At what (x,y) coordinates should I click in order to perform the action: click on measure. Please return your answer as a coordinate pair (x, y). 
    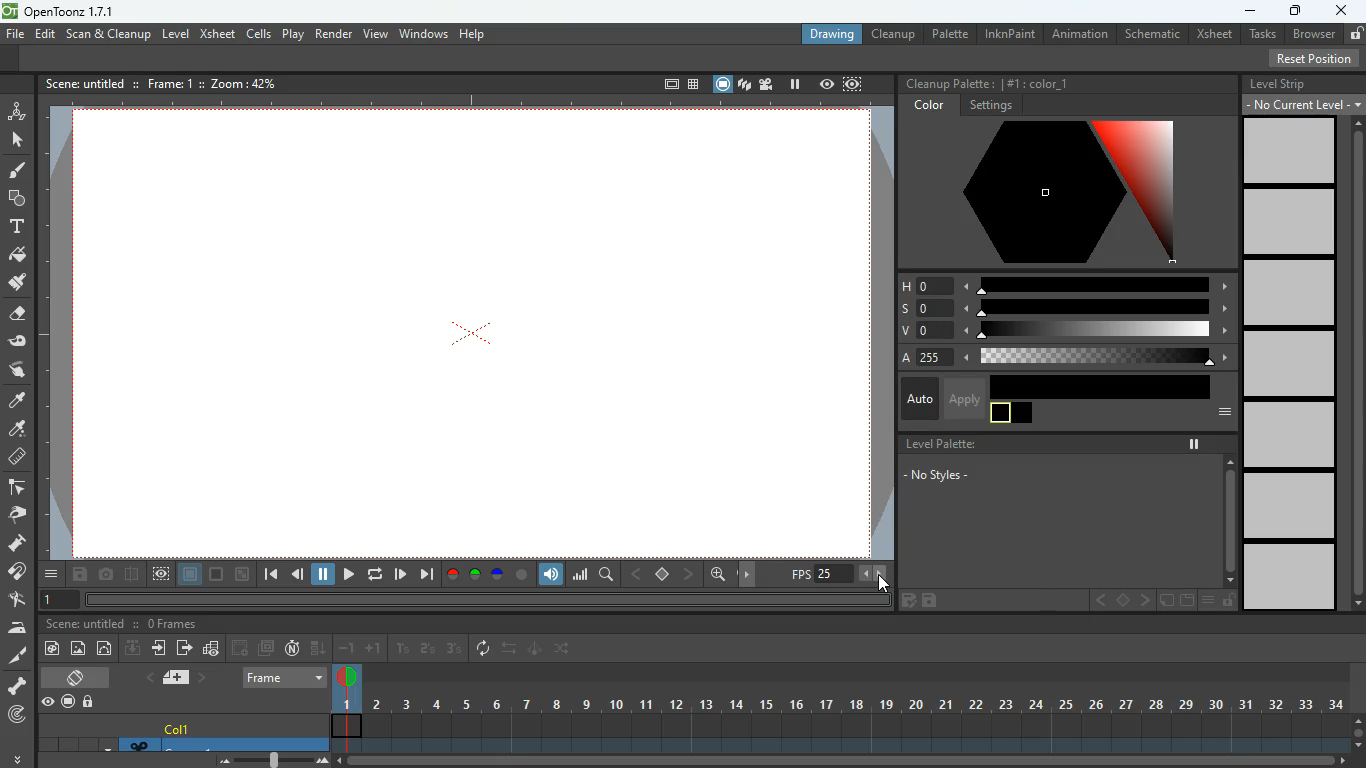
    Looking at the image, I should click on (14, 458).